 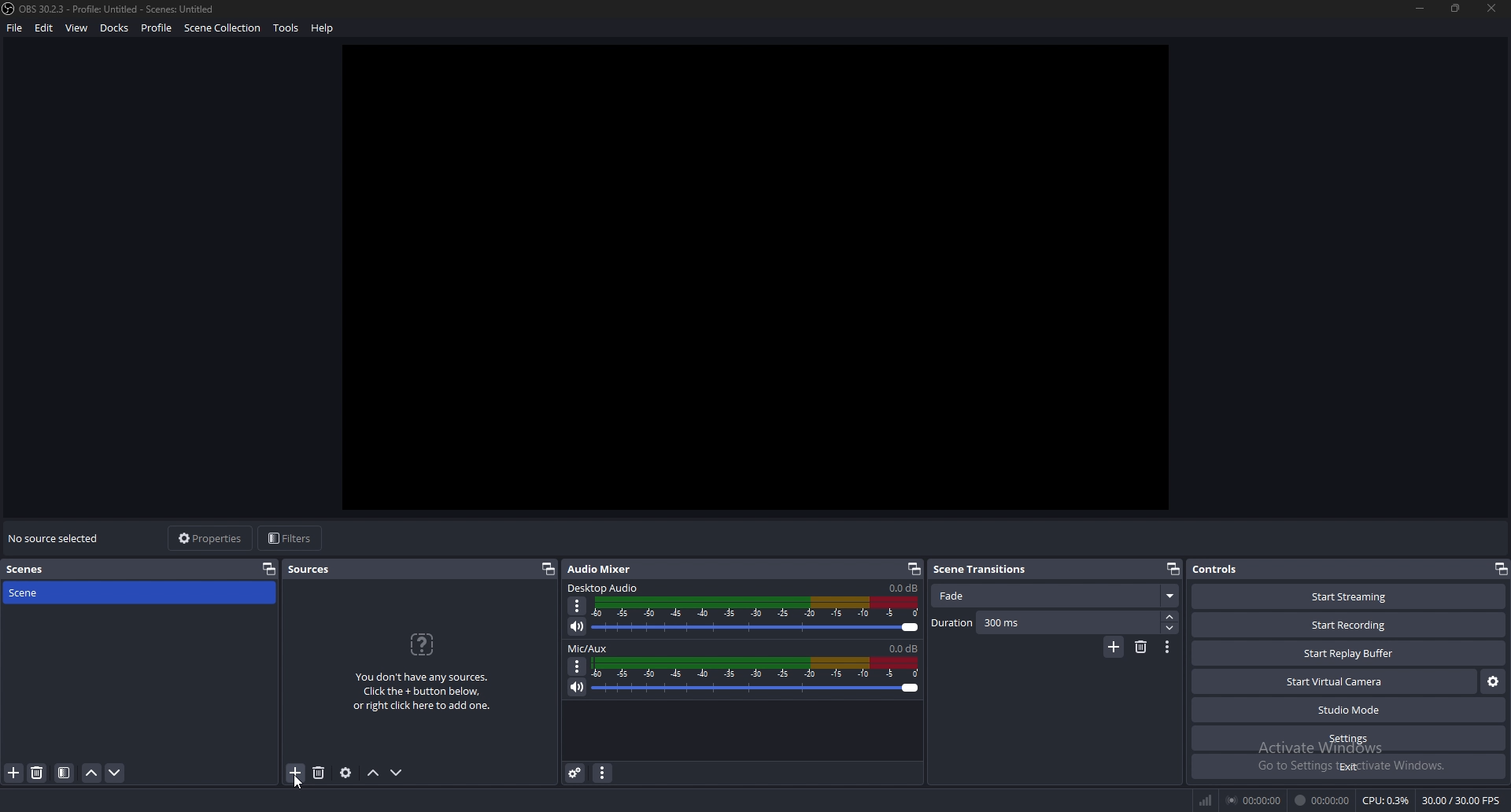 What do you see at coordinates (156, 26) in the screenshot?
I see `profile` at bounding box center [156, 26].